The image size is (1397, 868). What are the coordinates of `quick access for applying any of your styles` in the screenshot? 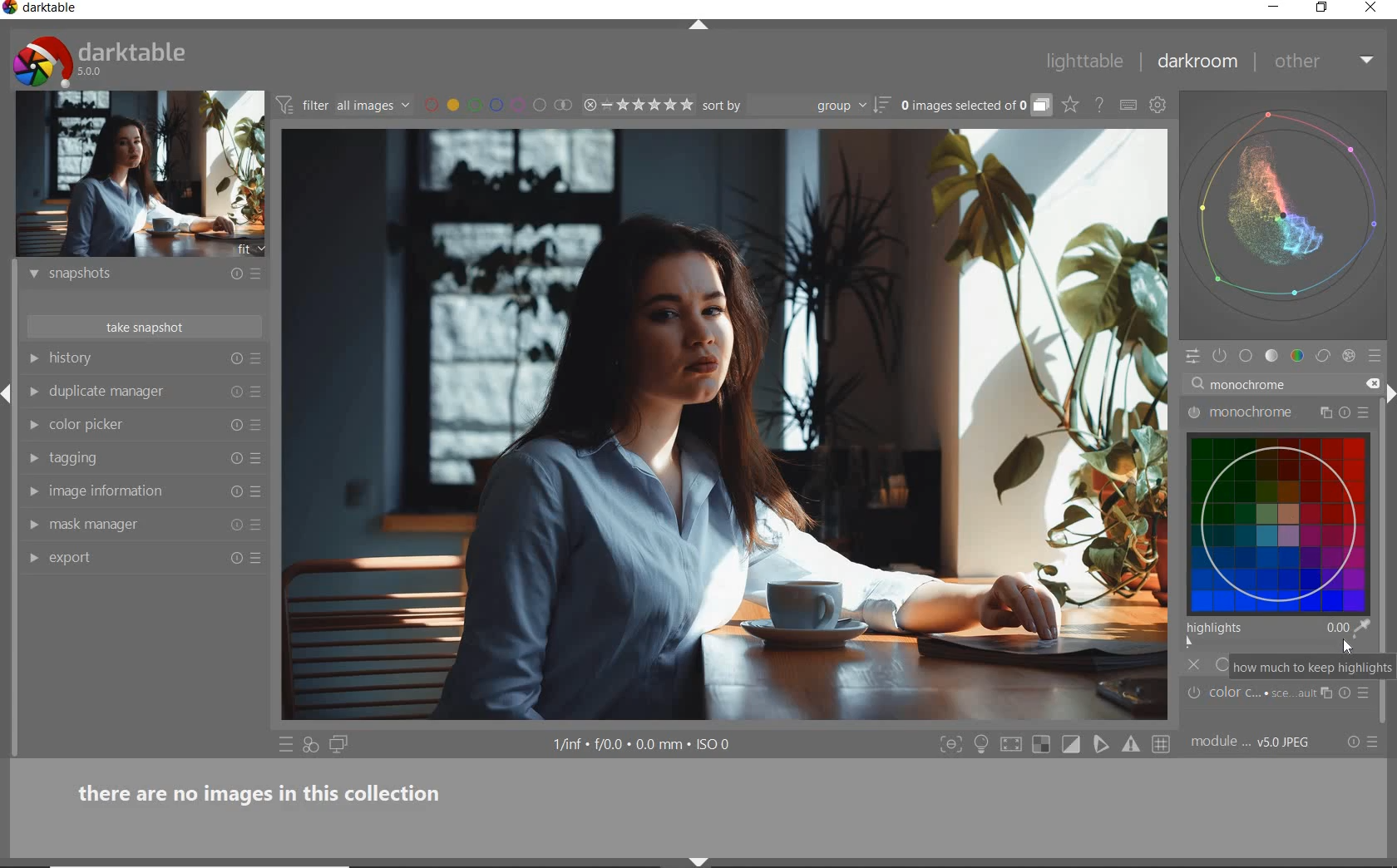 It's located at (312, 746).